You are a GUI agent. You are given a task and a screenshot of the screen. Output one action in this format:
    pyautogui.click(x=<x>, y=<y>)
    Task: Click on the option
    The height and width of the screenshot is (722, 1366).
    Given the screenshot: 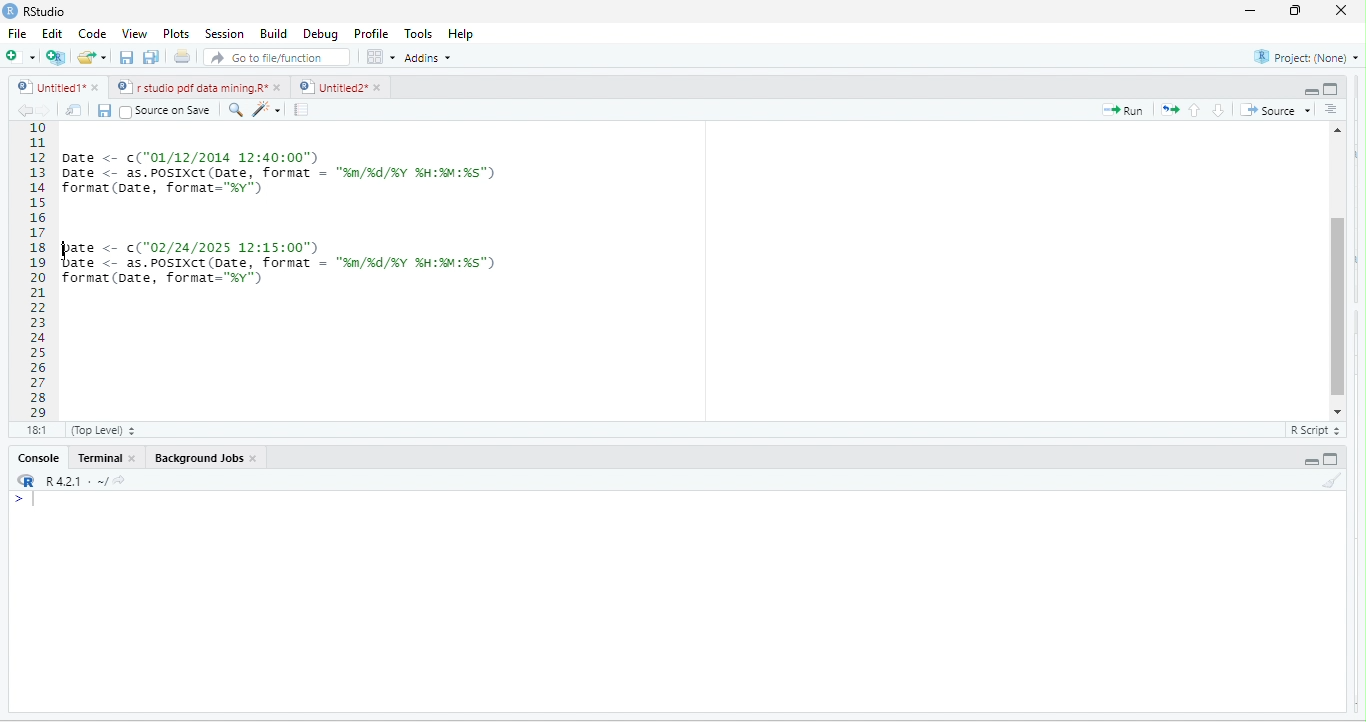 What is the action you would take?
    pyautogui.click(x=379, y=56)
    